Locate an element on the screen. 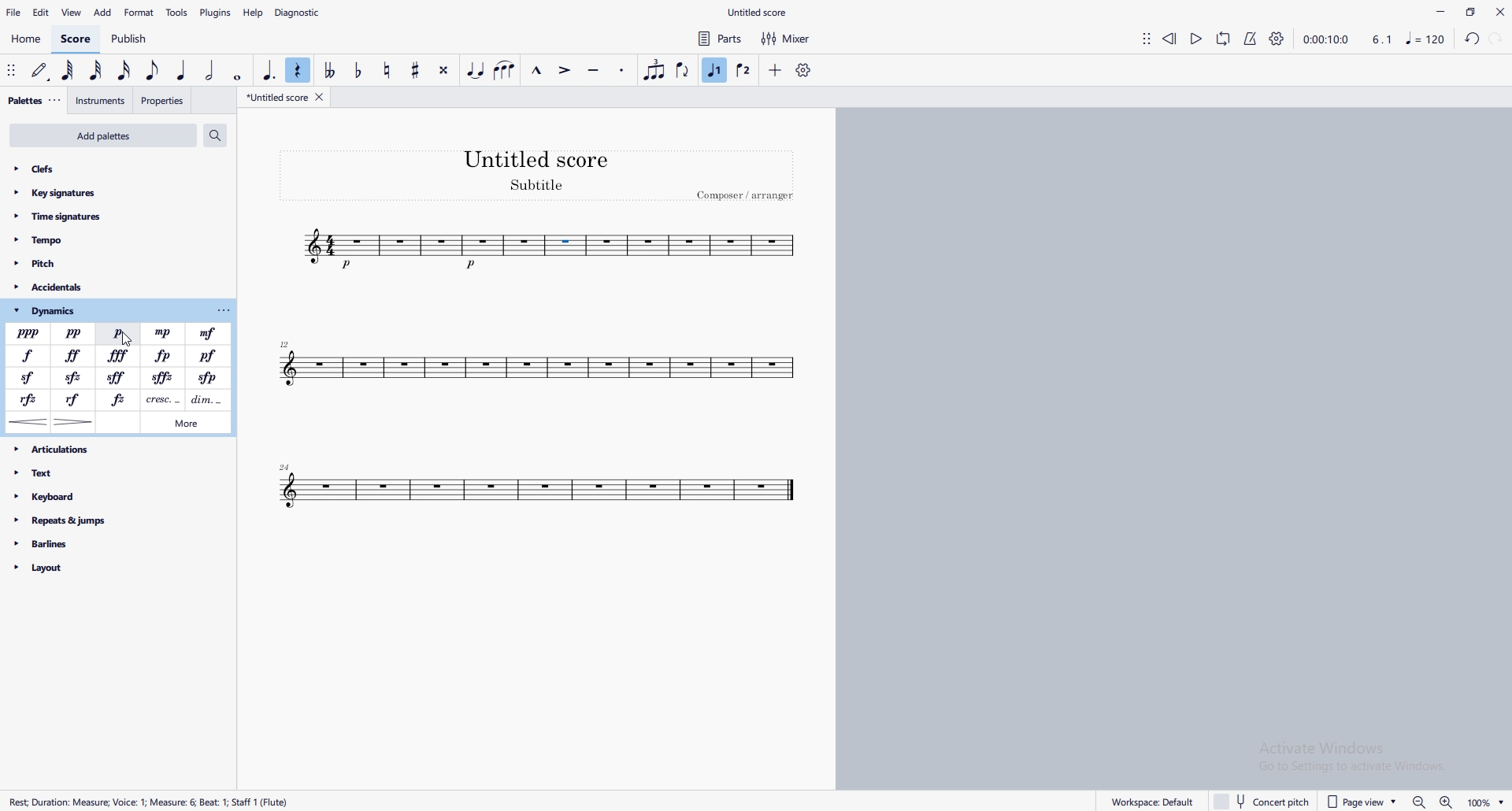 Image resolution: width=1512 pixels, height=811 pixels. untitled score is located at coordinates (278, 98).